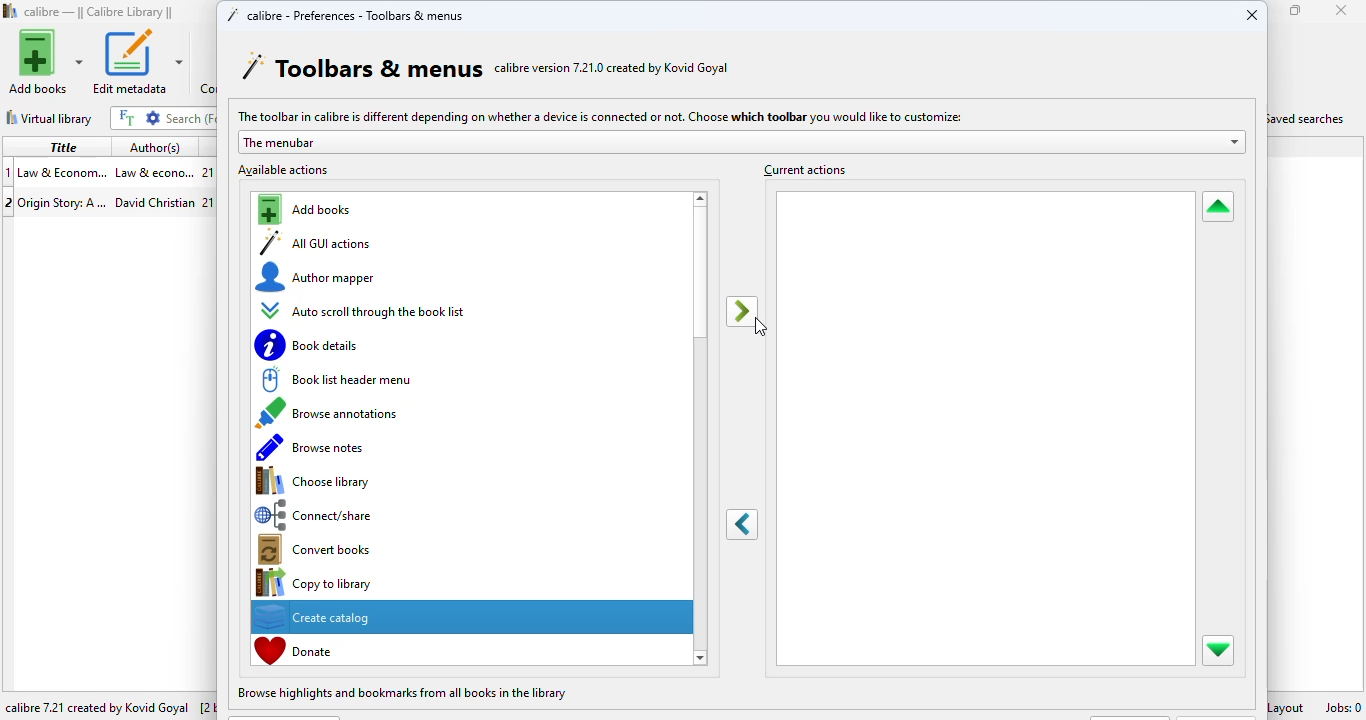 Image resolution: width=1366 pixels, height=720 pixels. What do you see at coordinates (1217, 208) in the screenshot?
I see `move selected action up` at bounding box center [1217, 208].